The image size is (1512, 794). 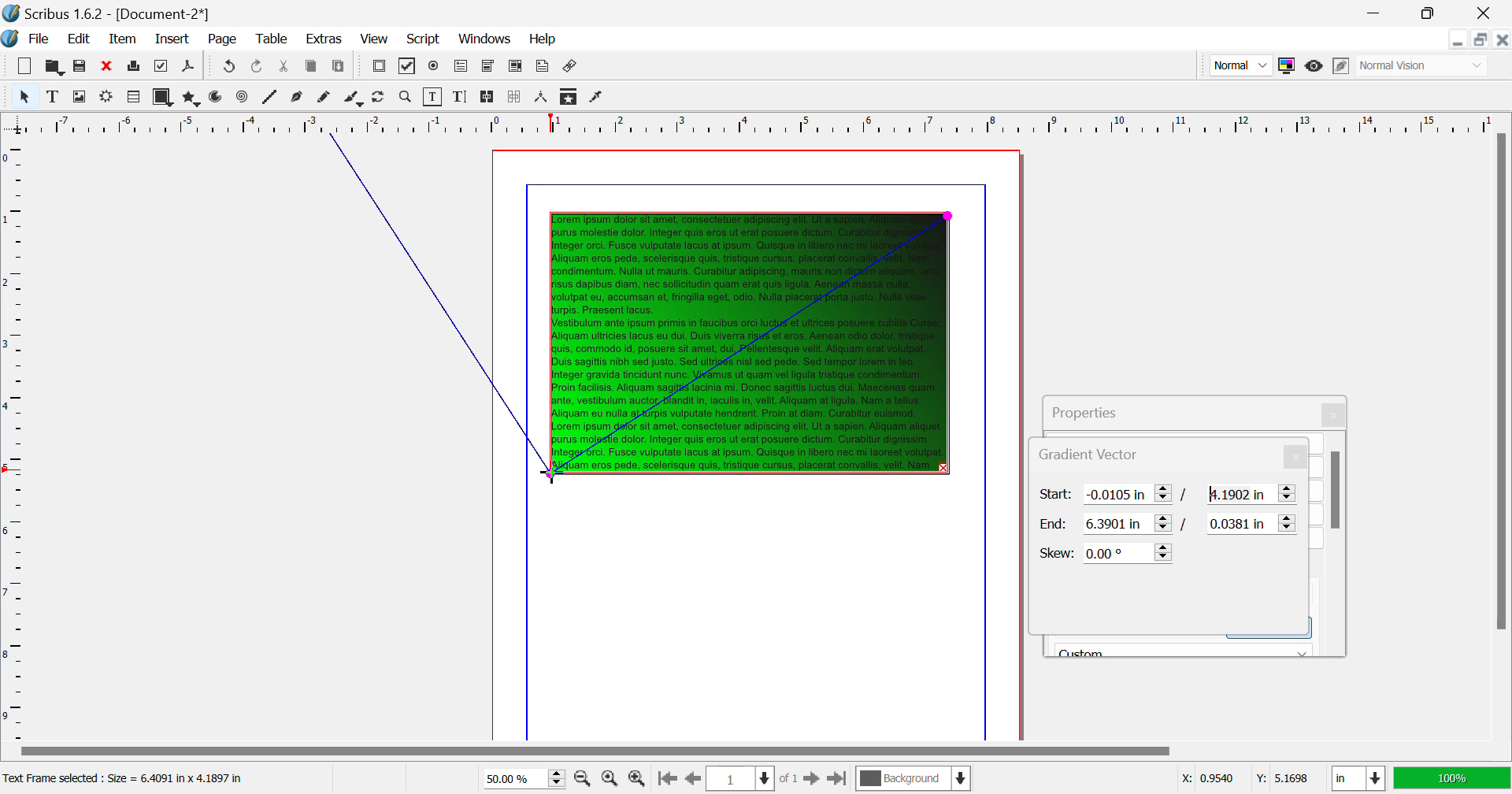 I want to click on Vertical Page Margin, so click(x=780, y=123).